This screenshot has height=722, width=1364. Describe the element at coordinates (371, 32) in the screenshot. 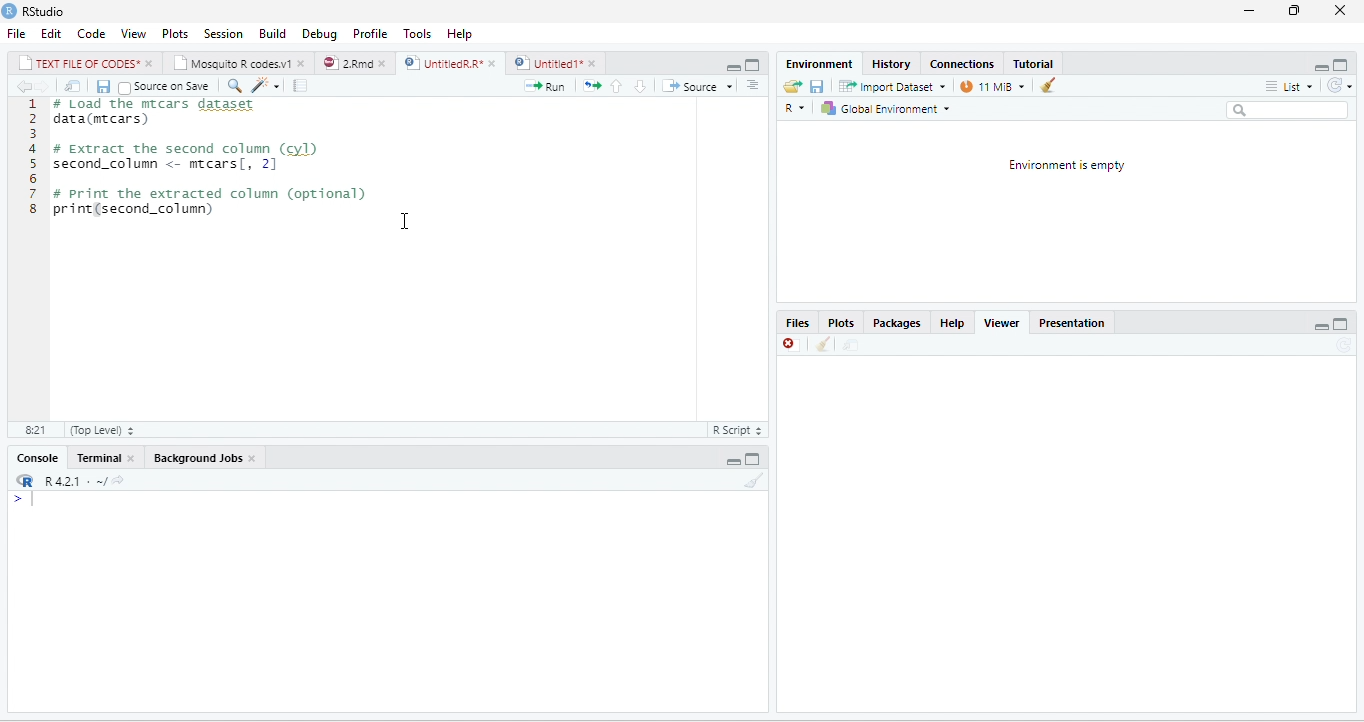

I see `Profile` at that location.